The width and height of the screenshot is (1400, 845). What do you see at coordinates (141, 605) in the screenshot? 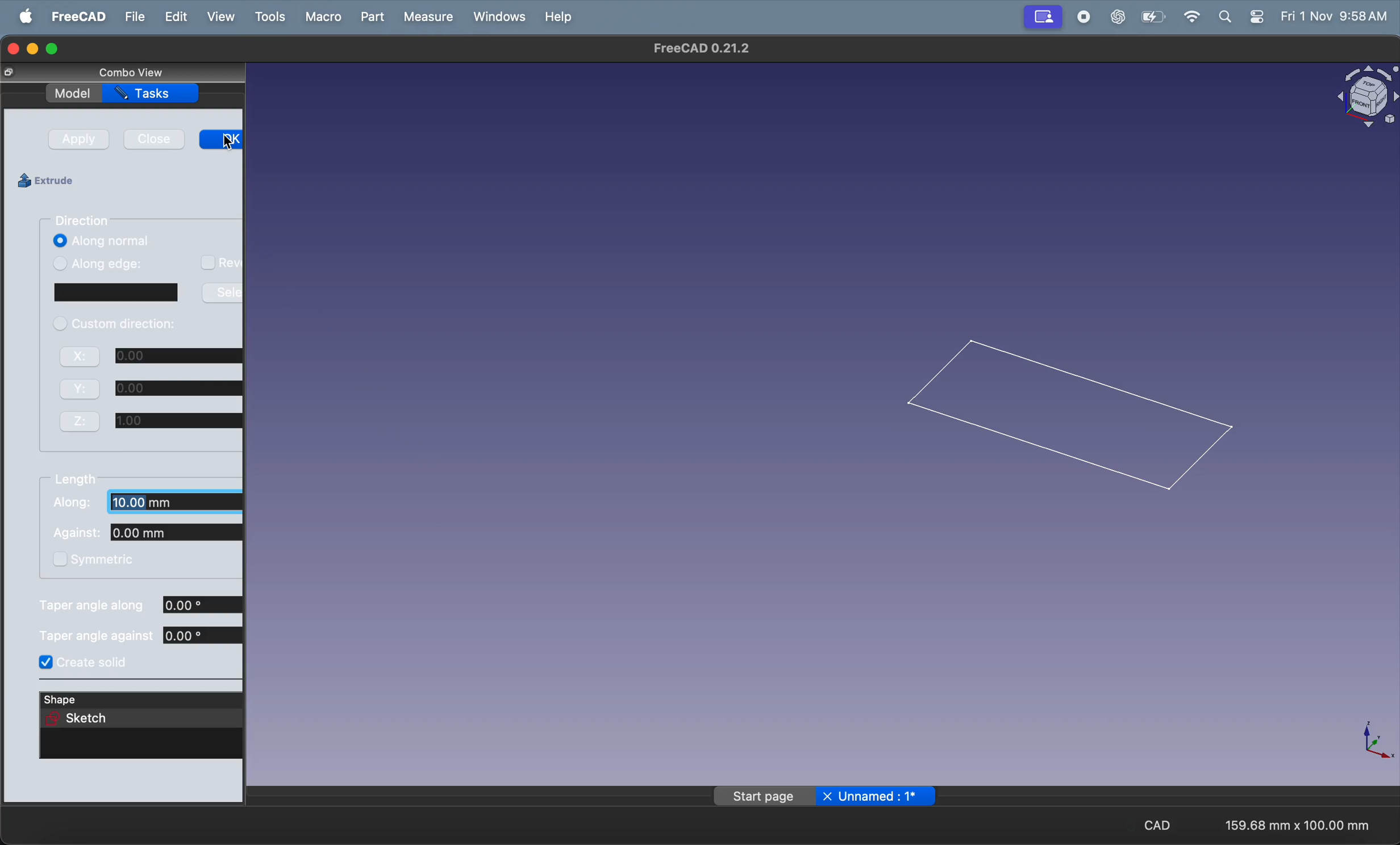
I see `tapper angle along` at bounding box center [141, 605].